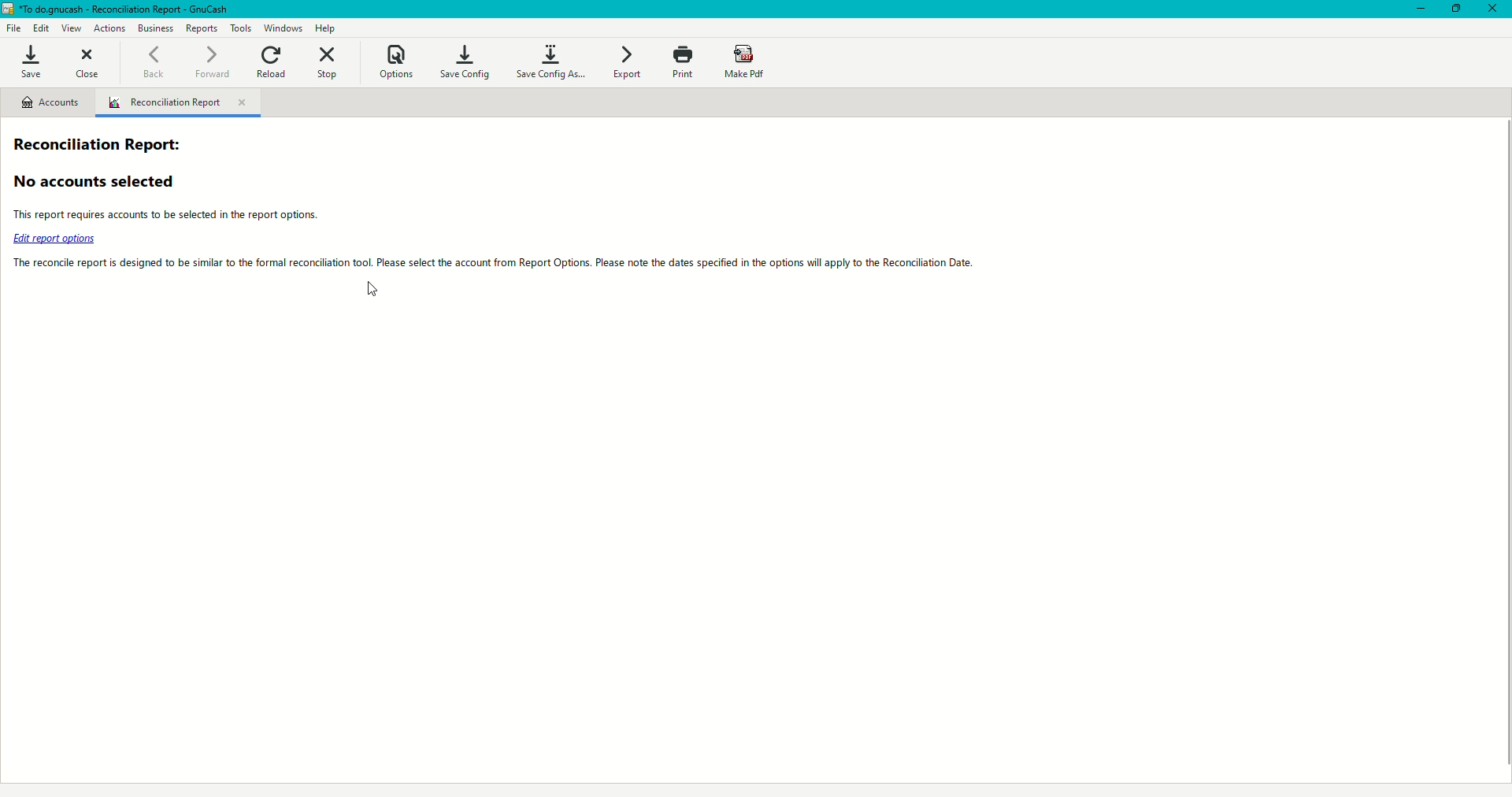 This screenshot has height=797, width=1512. Describe the element at coordinates (17, 28) in the screenshot. I see `File` at that location.